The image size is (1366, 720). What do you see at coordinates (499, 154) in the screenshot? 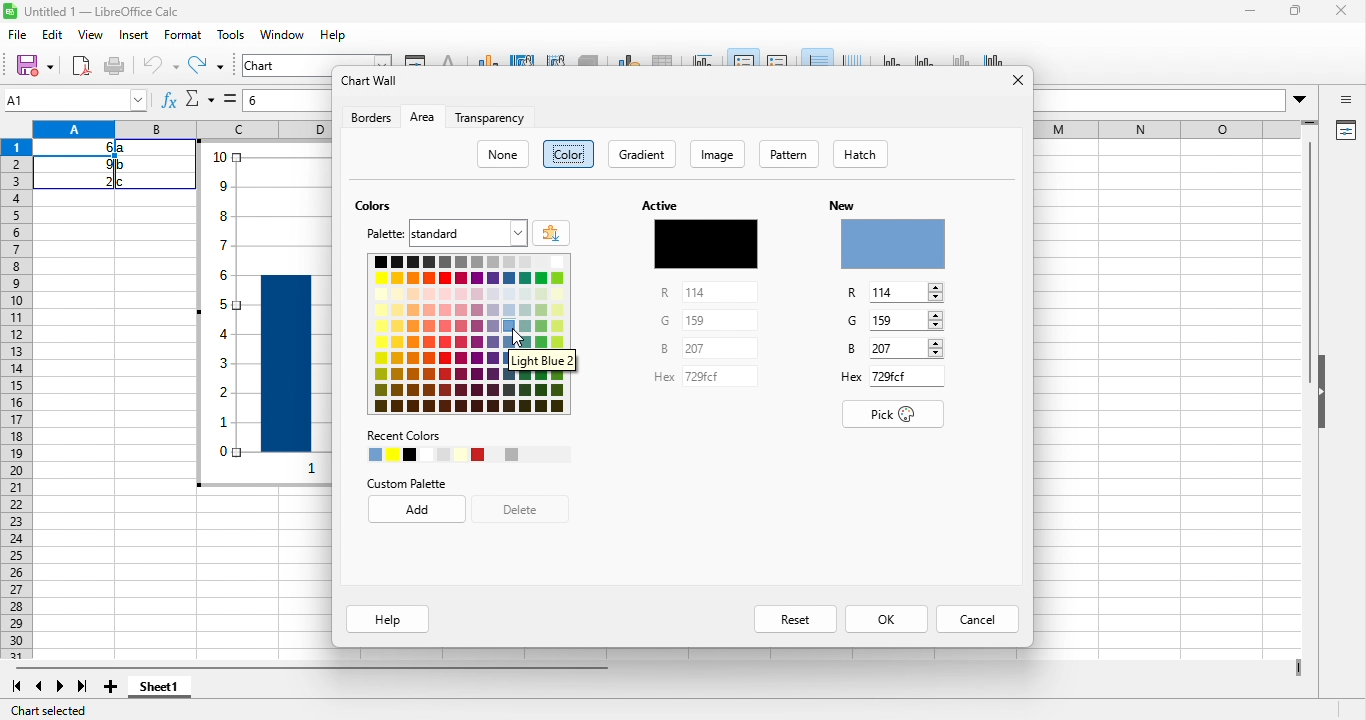
I see `none` at bounding box center [499, 154].